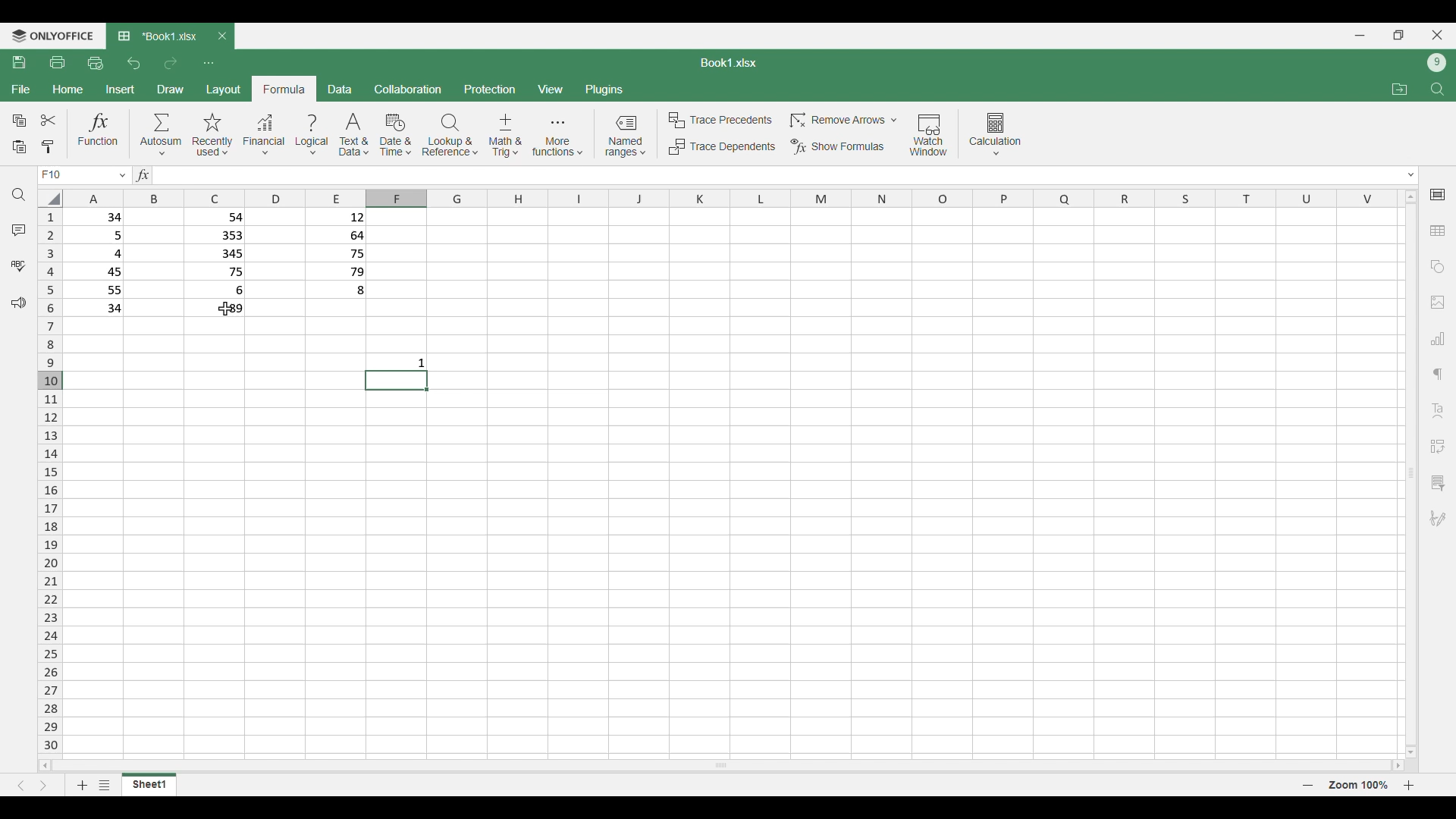 The width and height of the screenshot is (1456, 819). Describe the element at coordinates (929, 135) in the screenshot. I see `Watch window` at that location.